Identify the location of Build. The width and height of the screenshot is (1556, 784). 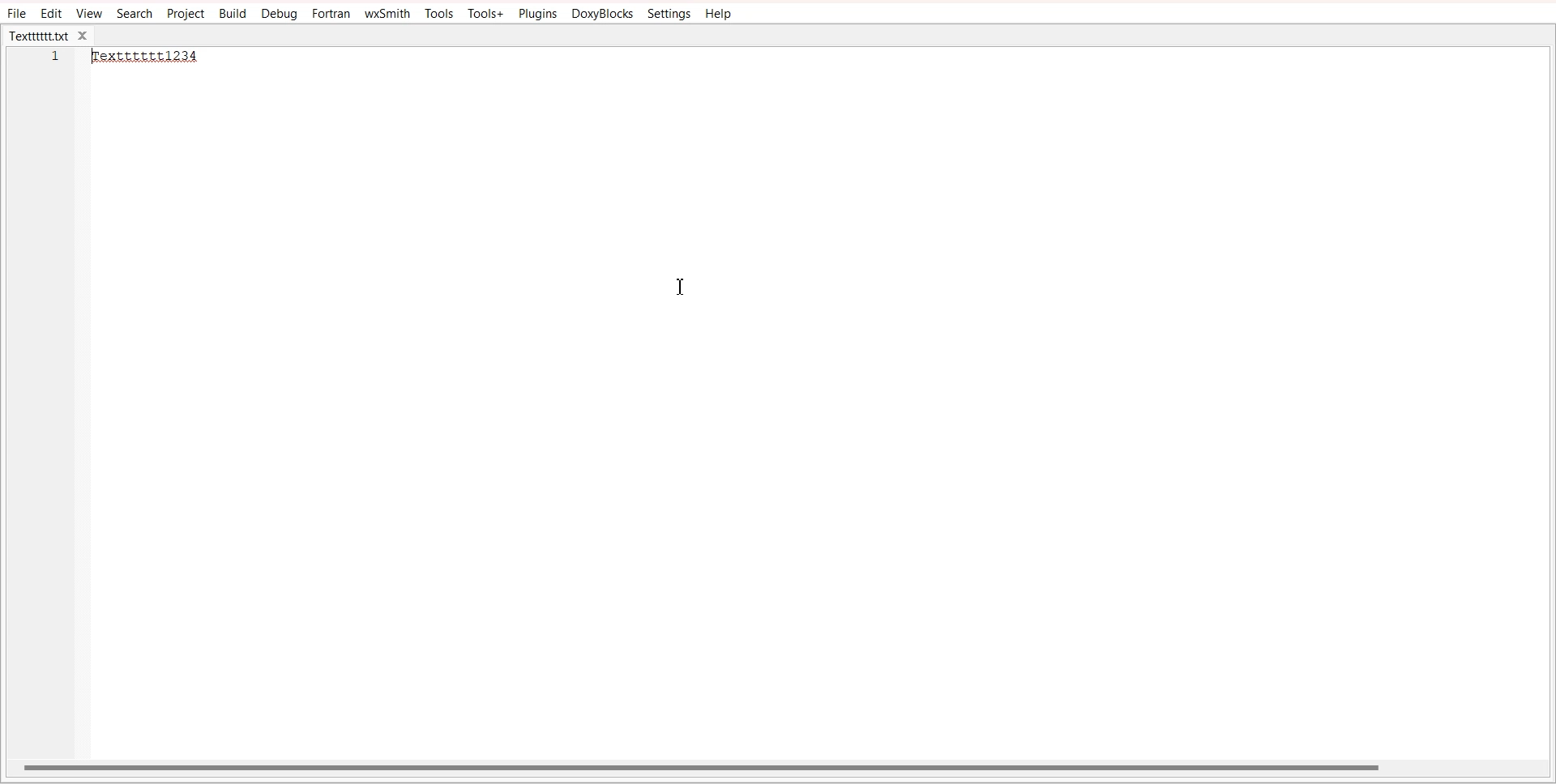
(233, 13).